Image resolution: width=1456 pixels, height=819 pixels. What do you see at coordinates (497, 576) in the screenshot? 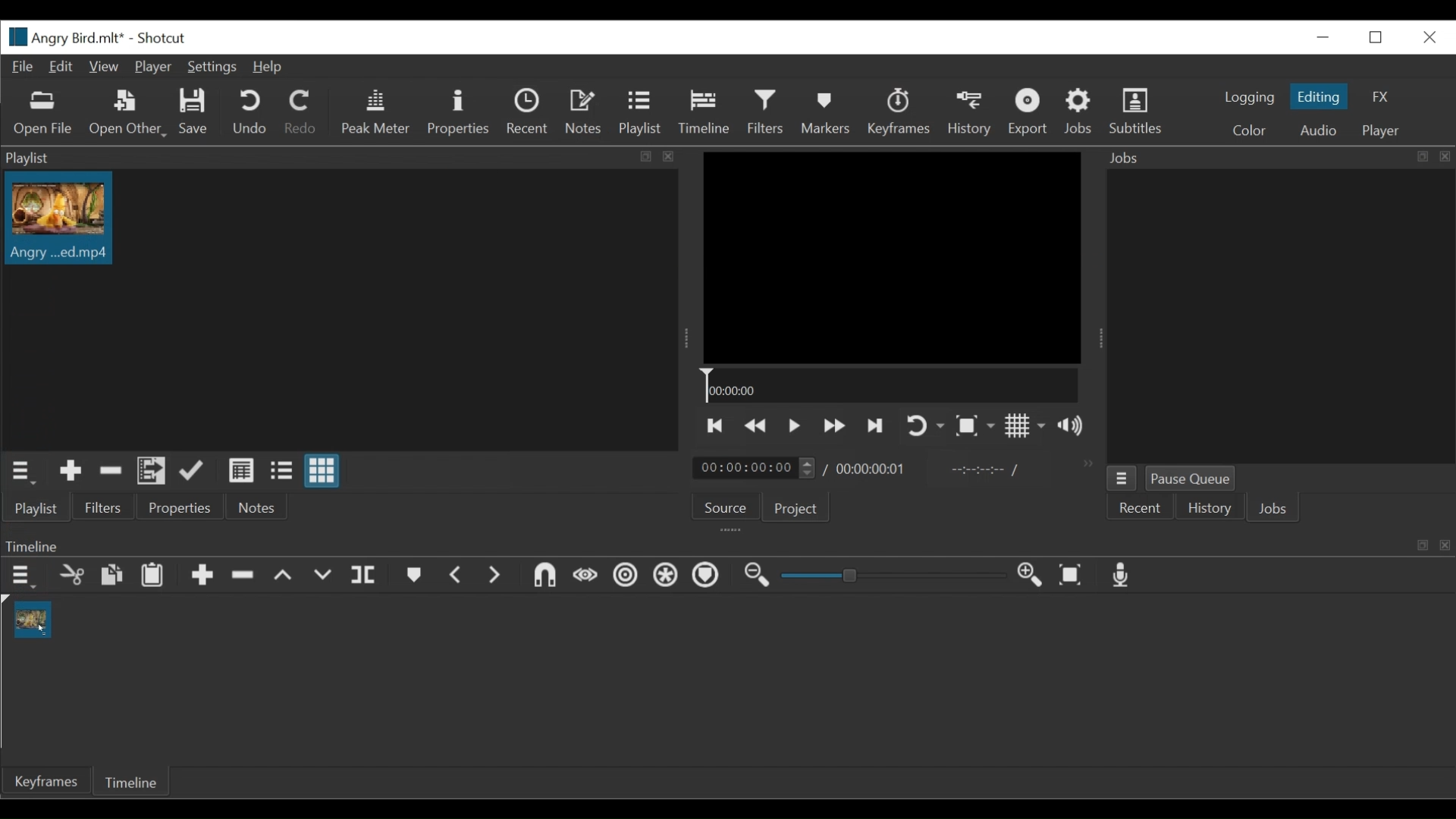
I see `Next Marker` at bounding box center [497, 576].